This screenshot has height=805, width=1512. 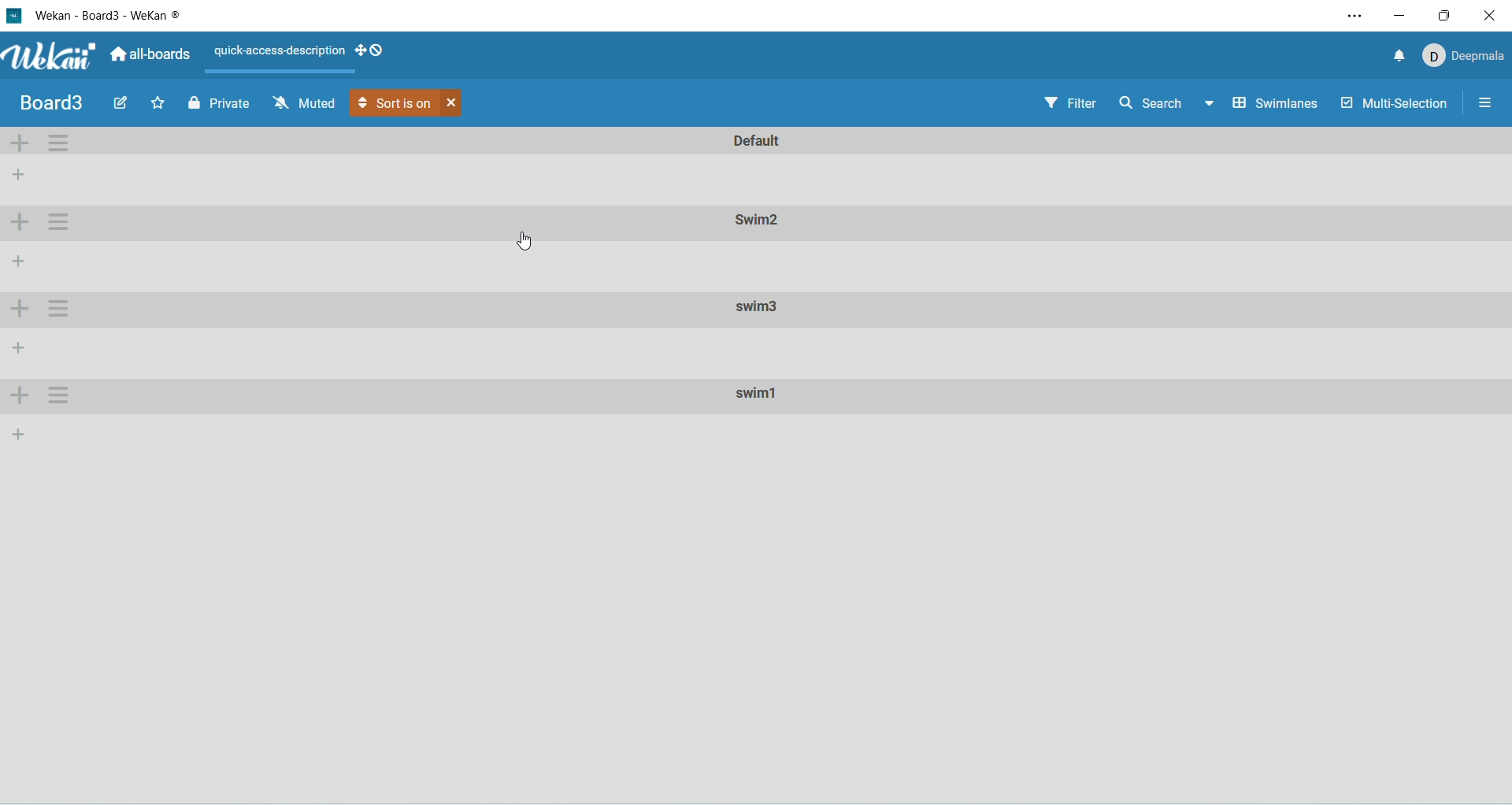 I want to click on add list, so click(x=18, y=265).